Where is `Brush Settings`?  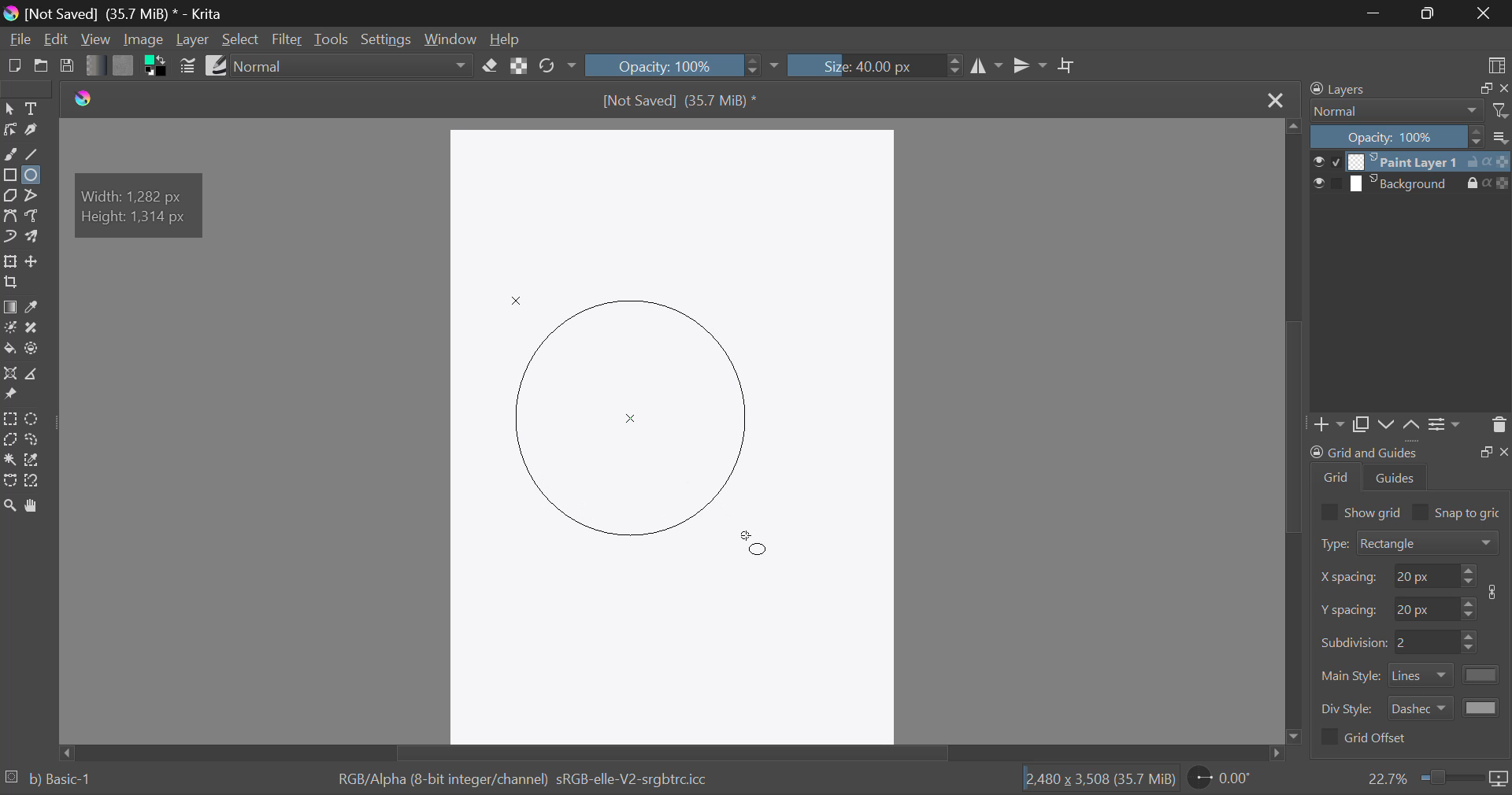
Brush Settings is located at coordinates (187, 66).